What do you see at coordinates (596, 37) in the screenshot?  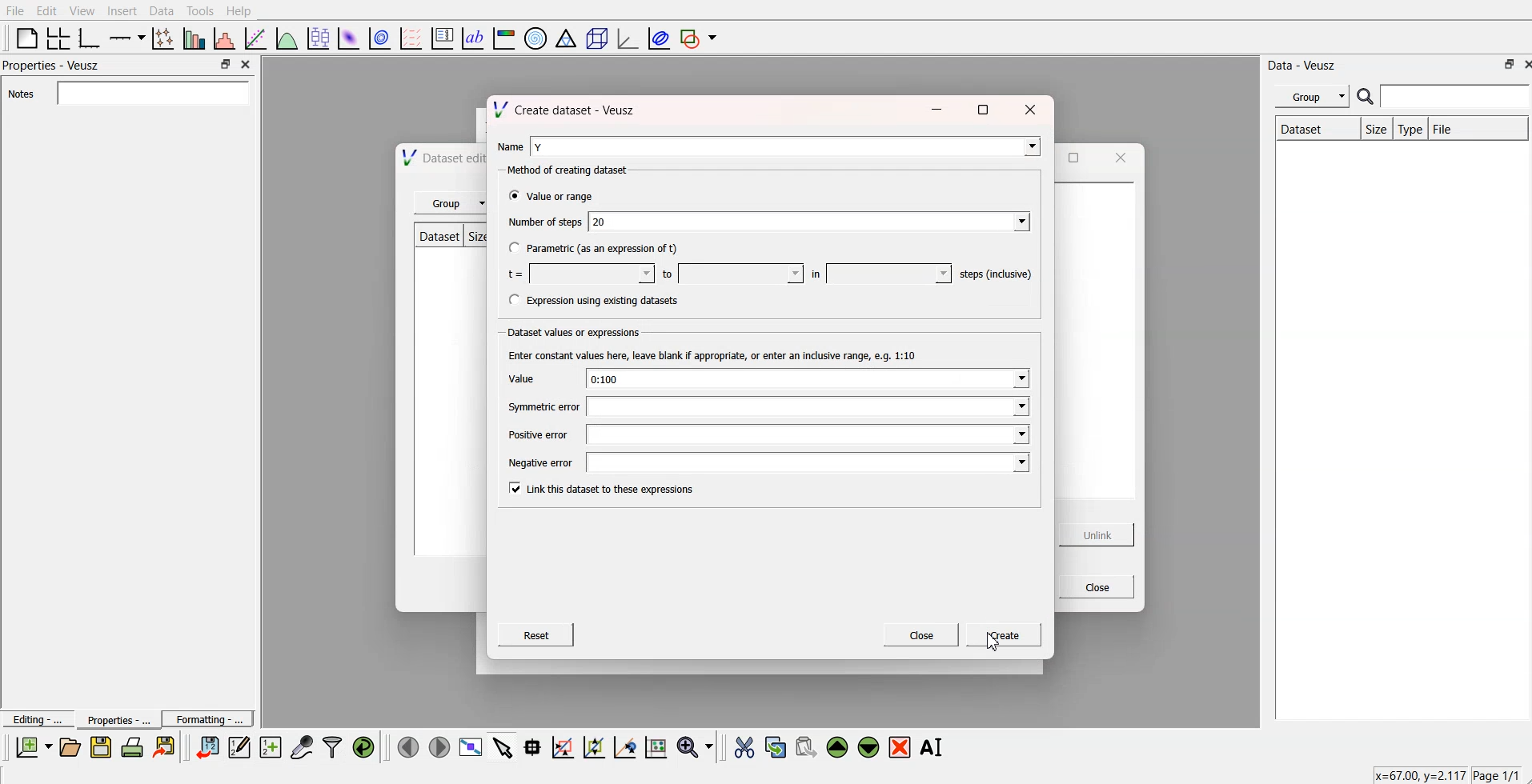 I see `3D scene` at bounding box center [596, 37].